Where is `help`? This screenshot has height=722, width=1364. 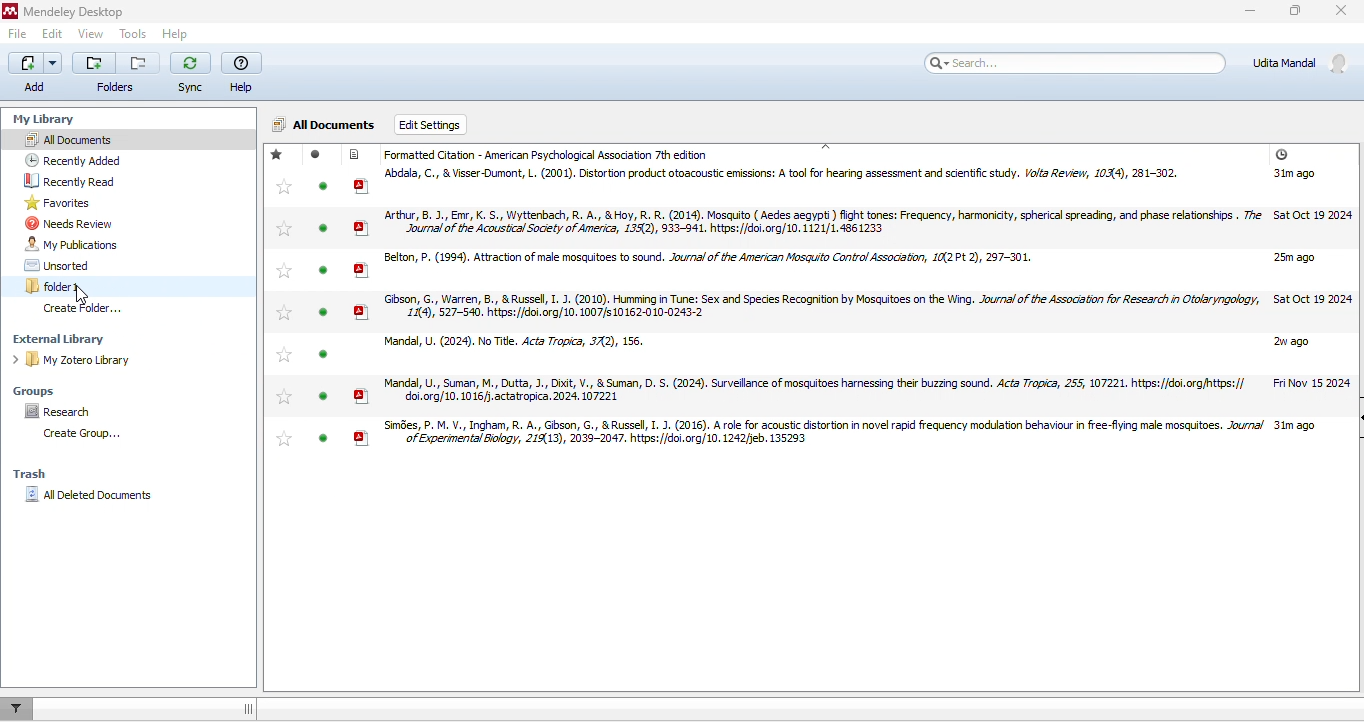 help is located at coordinates (242, 73).